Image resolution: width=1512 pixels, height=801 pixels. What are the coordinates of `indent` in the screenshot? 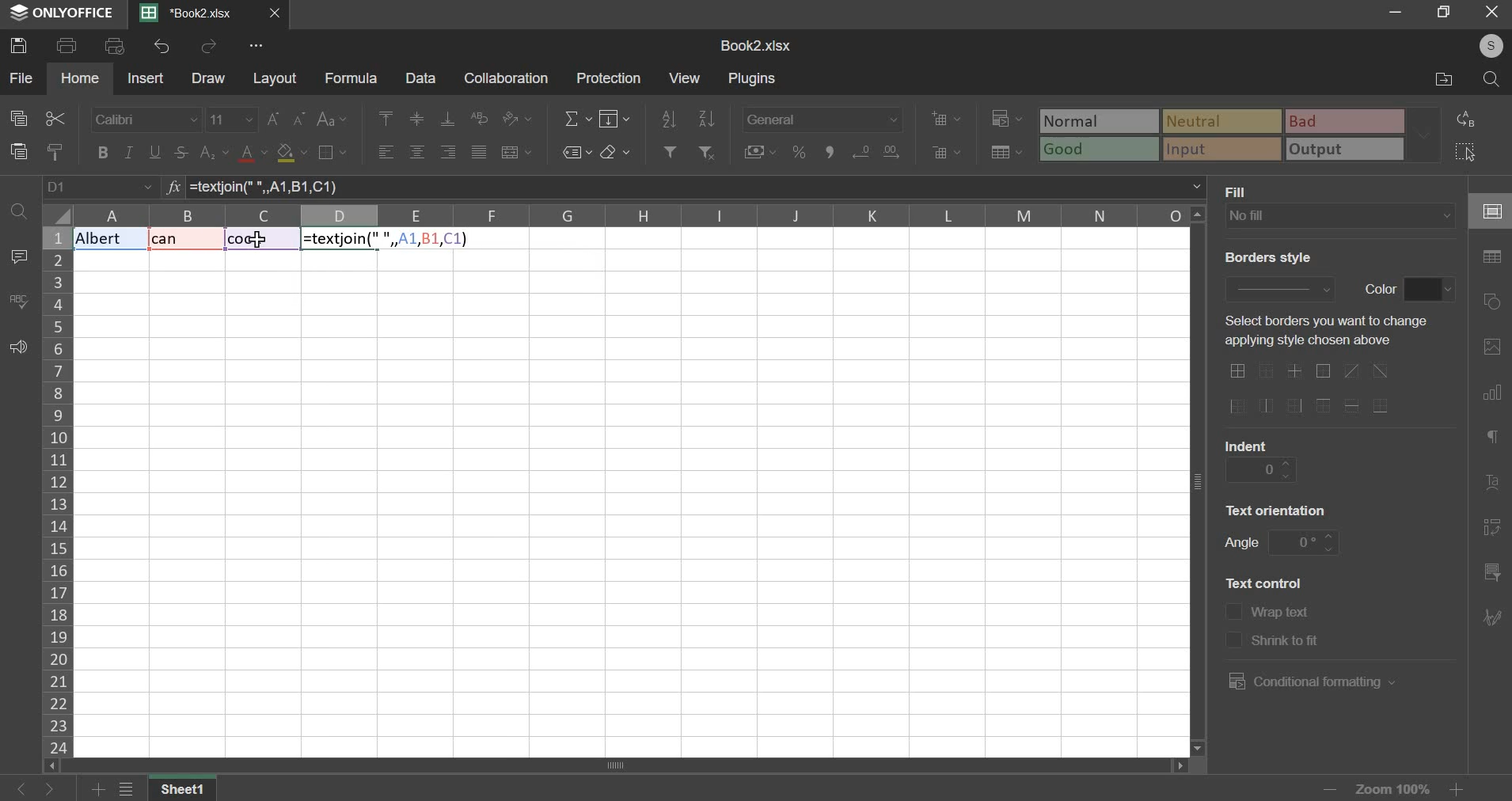 It's located at (1261, 469).